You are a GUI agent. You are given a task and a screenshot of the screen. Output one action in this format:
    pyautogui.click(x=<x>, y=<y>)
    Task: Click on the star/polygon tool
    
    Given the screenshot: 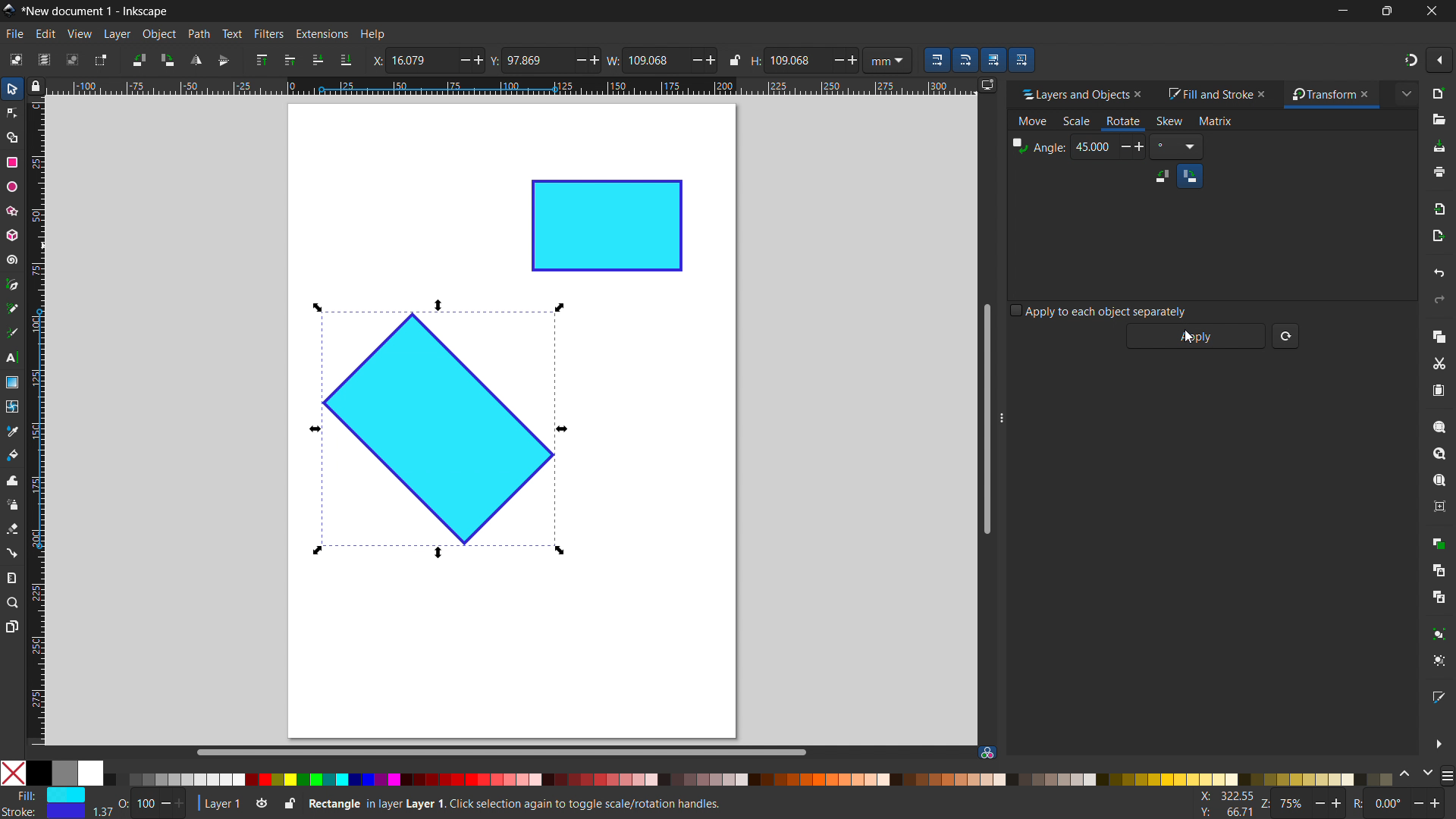 What is the action you would take?
    pyautogui.click(x=10, y=210)
    